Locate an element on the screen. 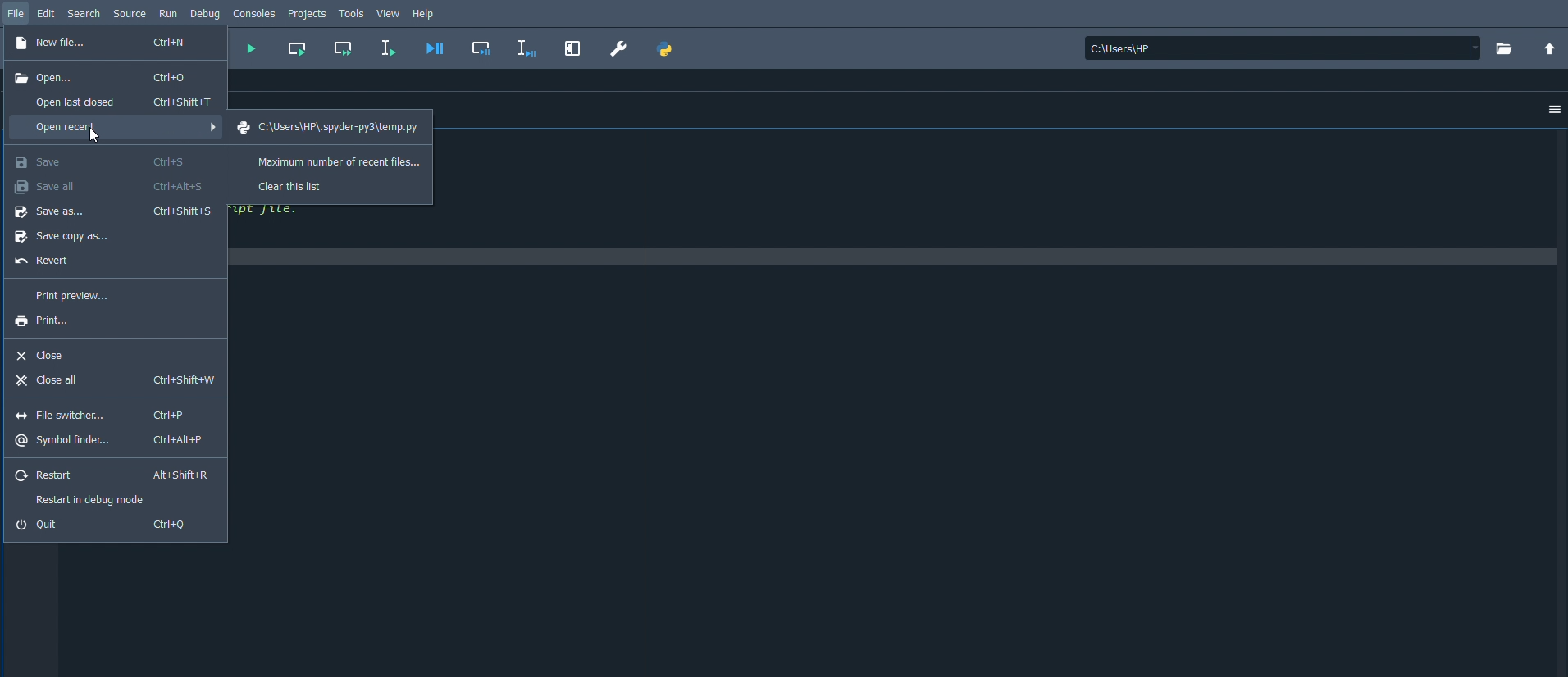  Open last closed is located at coordinates (119, 101).